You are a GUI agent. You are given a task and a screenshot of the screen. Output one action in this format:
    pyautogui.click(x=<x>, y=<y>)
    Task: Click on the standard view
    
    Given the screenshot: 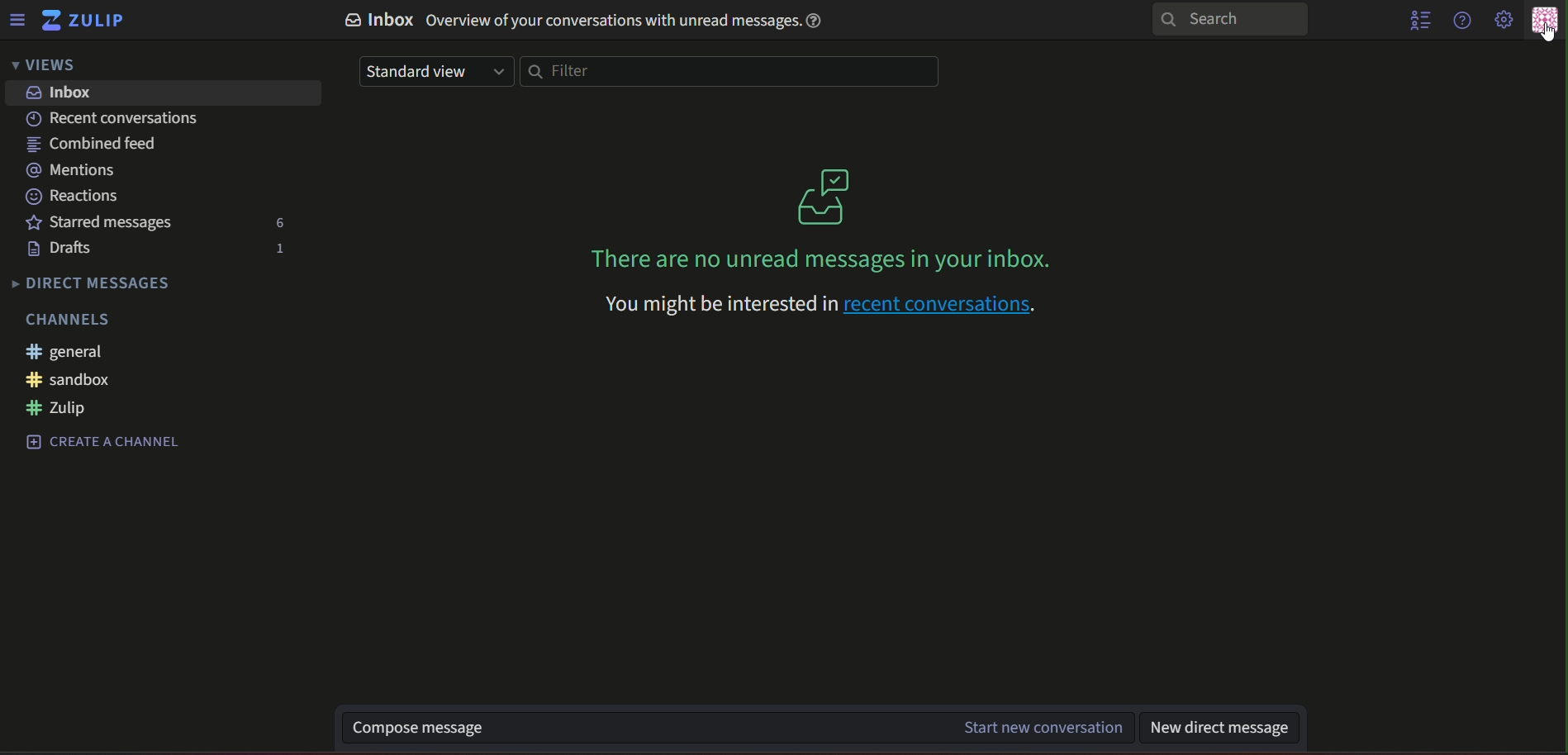 What is the action you would take?
    pyautogui.click(x=437, y=72)
    